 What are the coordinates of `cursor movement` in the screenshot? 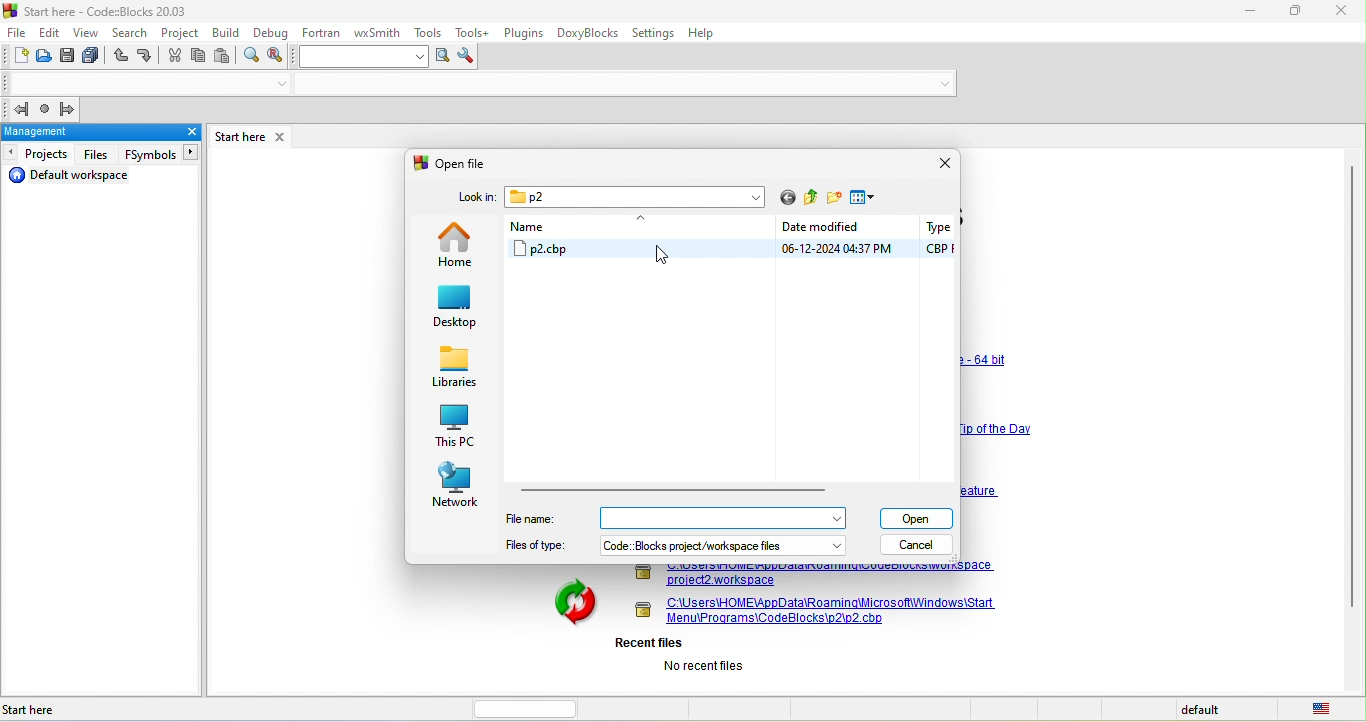 It's located at (656, 256).